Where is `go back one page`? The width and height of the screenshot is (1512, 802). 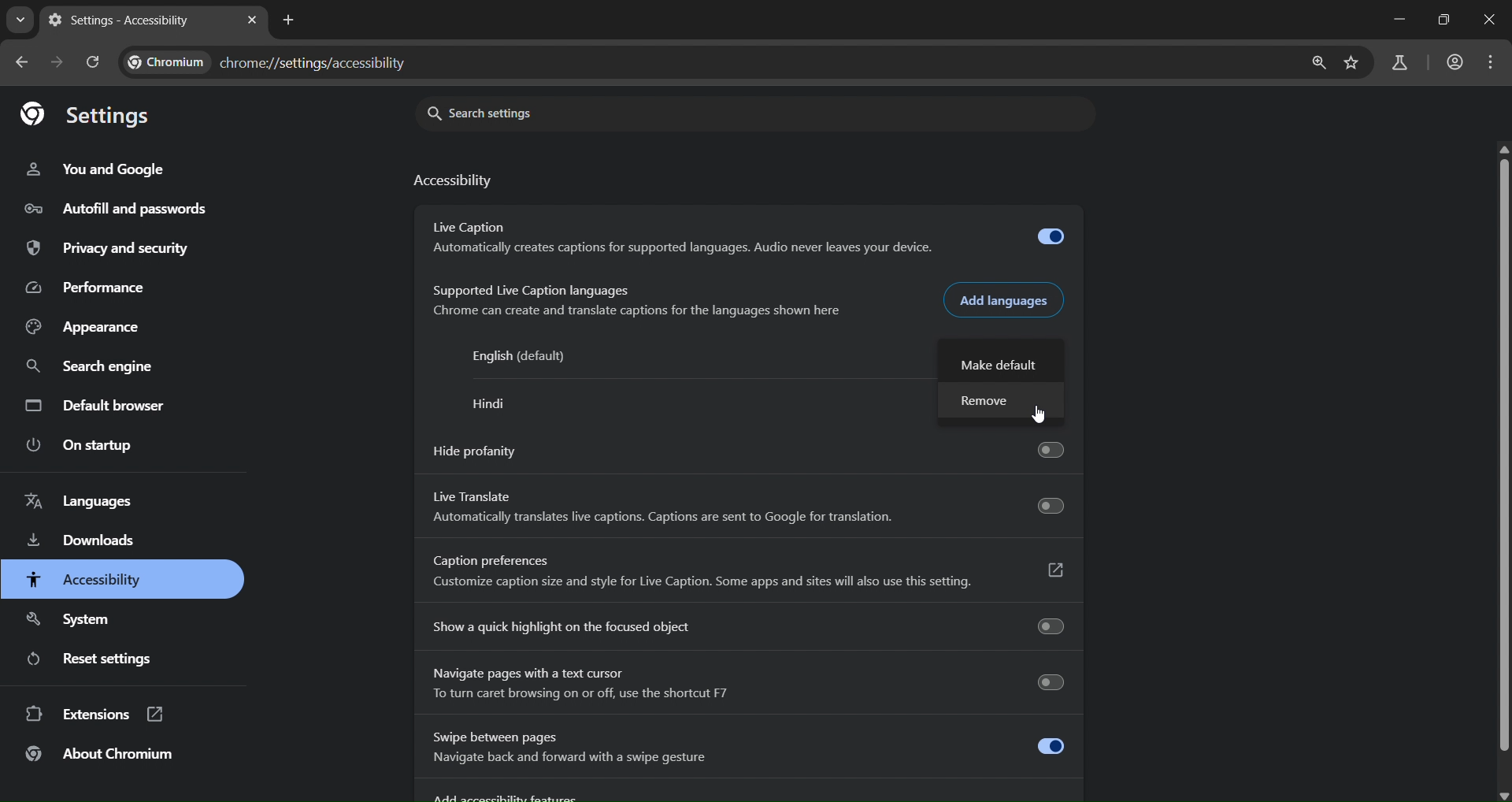 go back one page is located at coordinates (23, 62).